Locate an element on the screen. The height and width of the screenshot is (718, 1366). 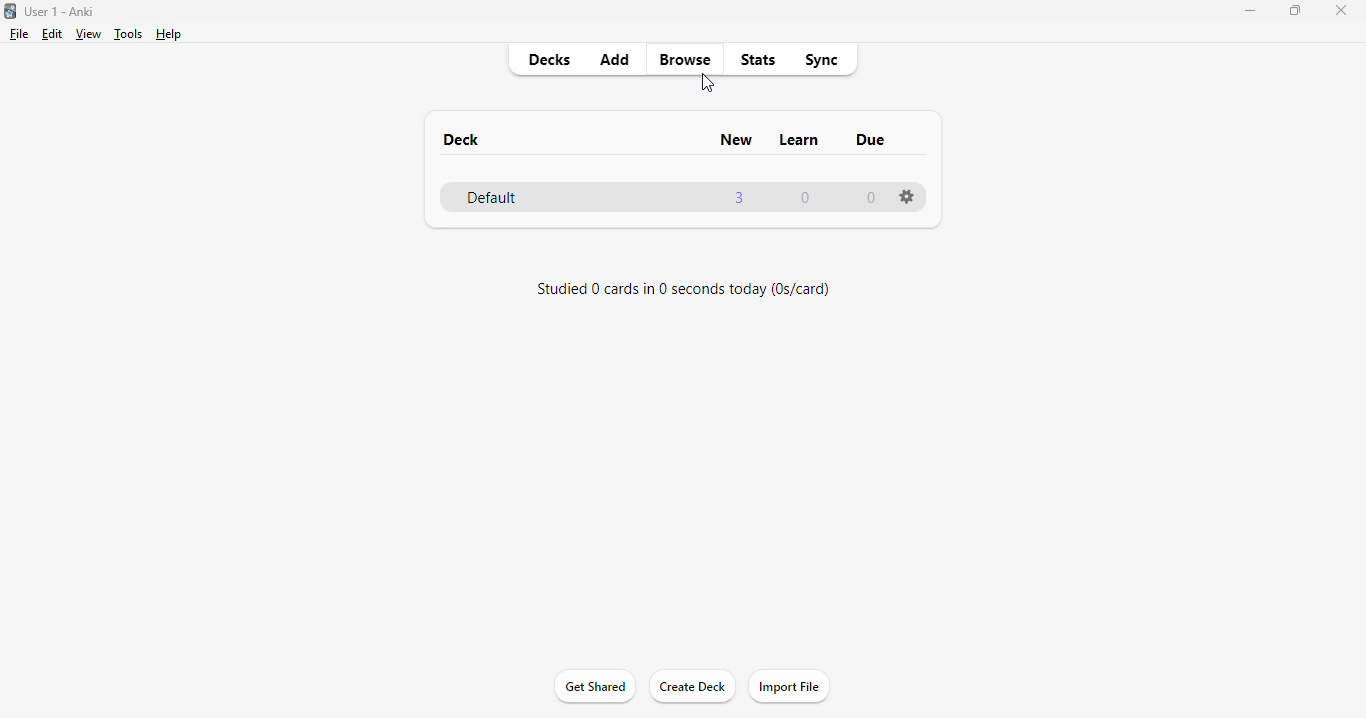
0 is located at coordinates (872, 196).